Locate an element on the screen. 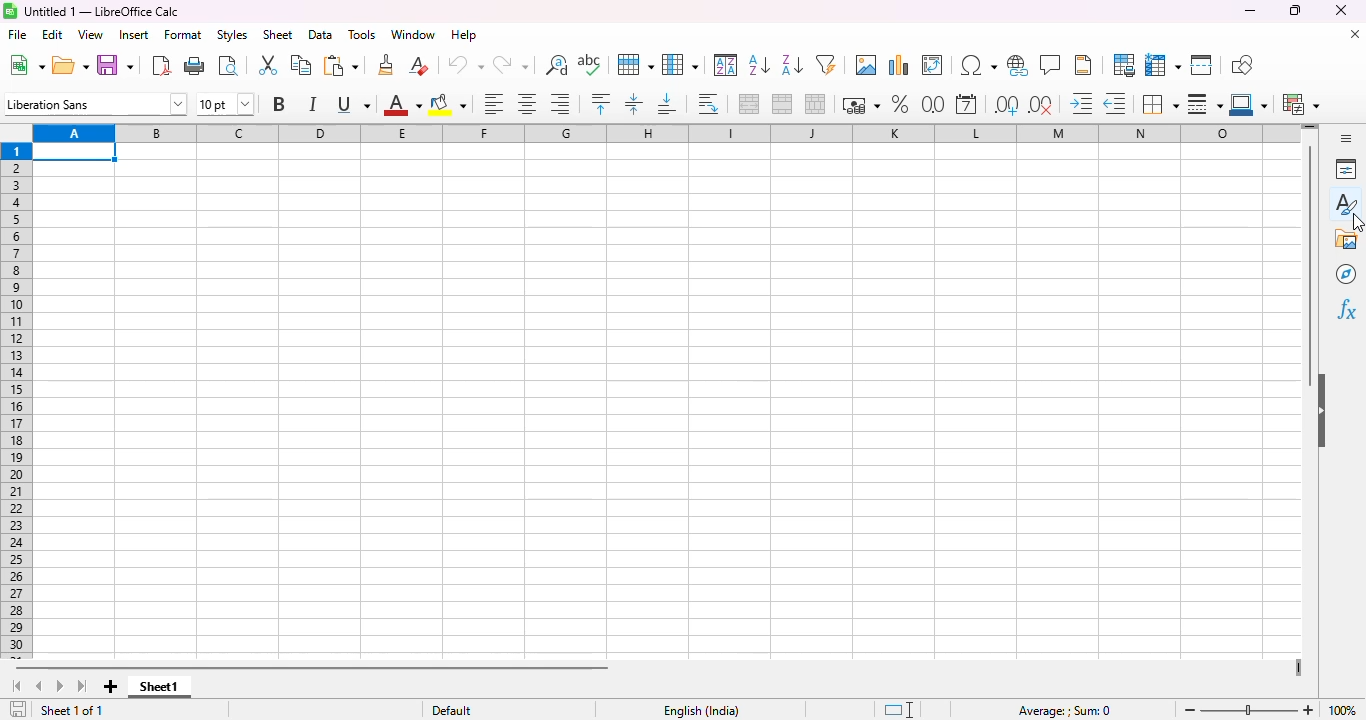 This screenshot has height=720, width=1366. autoFilter is located at coordinates (826, 64).